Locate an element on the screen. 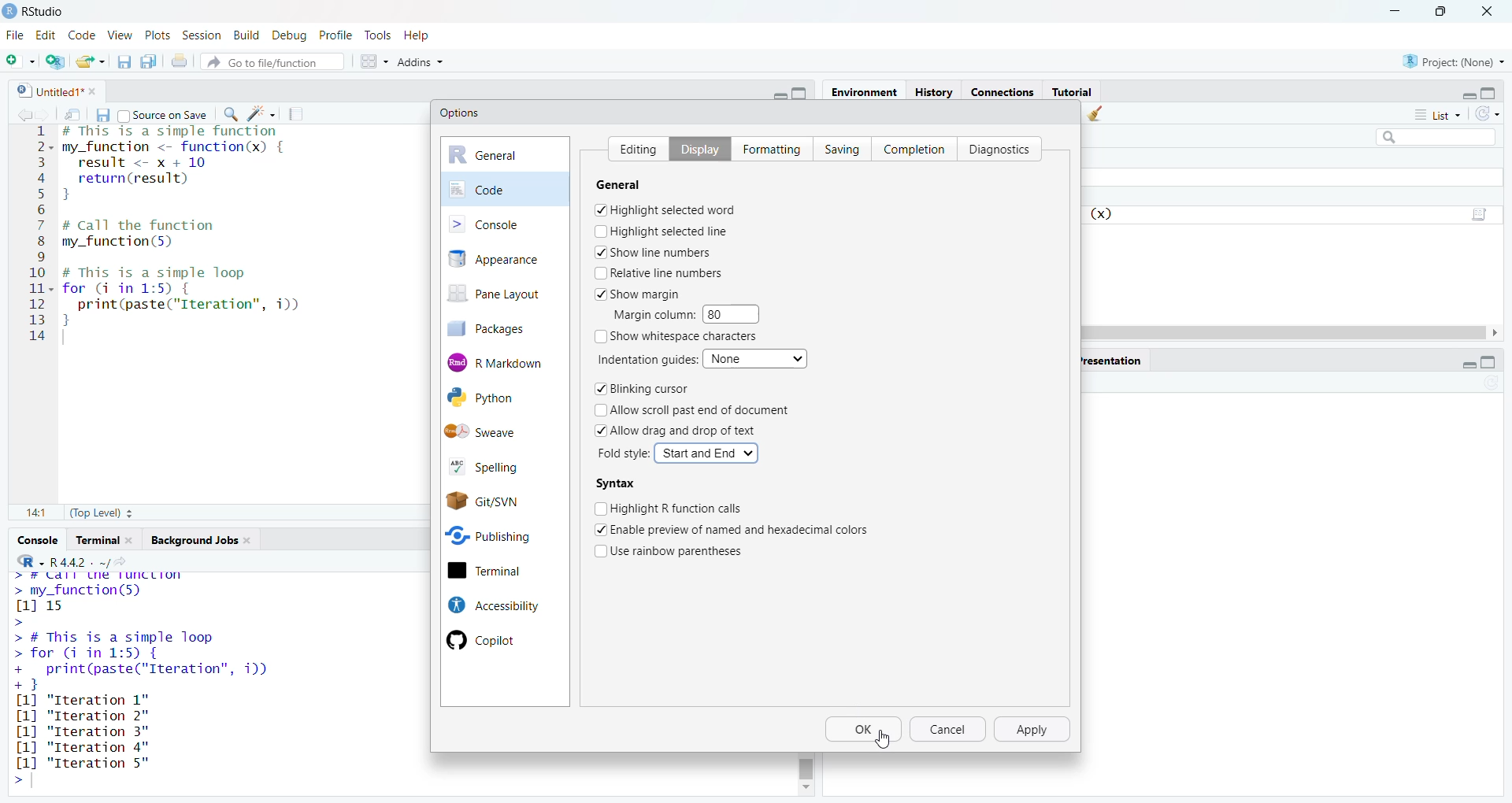 The height and width of the screenshot is (803, 1512). debug is located at coordinates (290, 33).